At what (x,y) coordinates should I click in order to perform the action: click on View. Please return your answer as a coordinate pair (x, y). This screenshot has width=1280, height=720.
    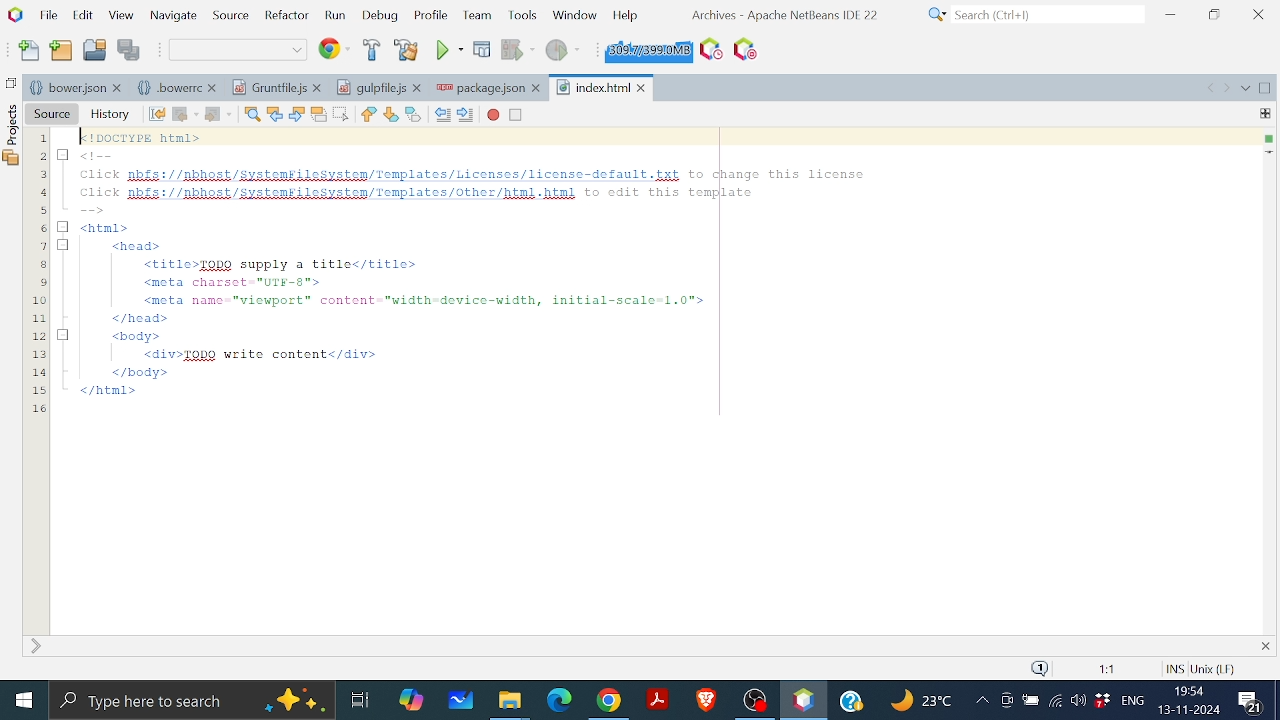
    Looking at the image, I should click on (120, 16).